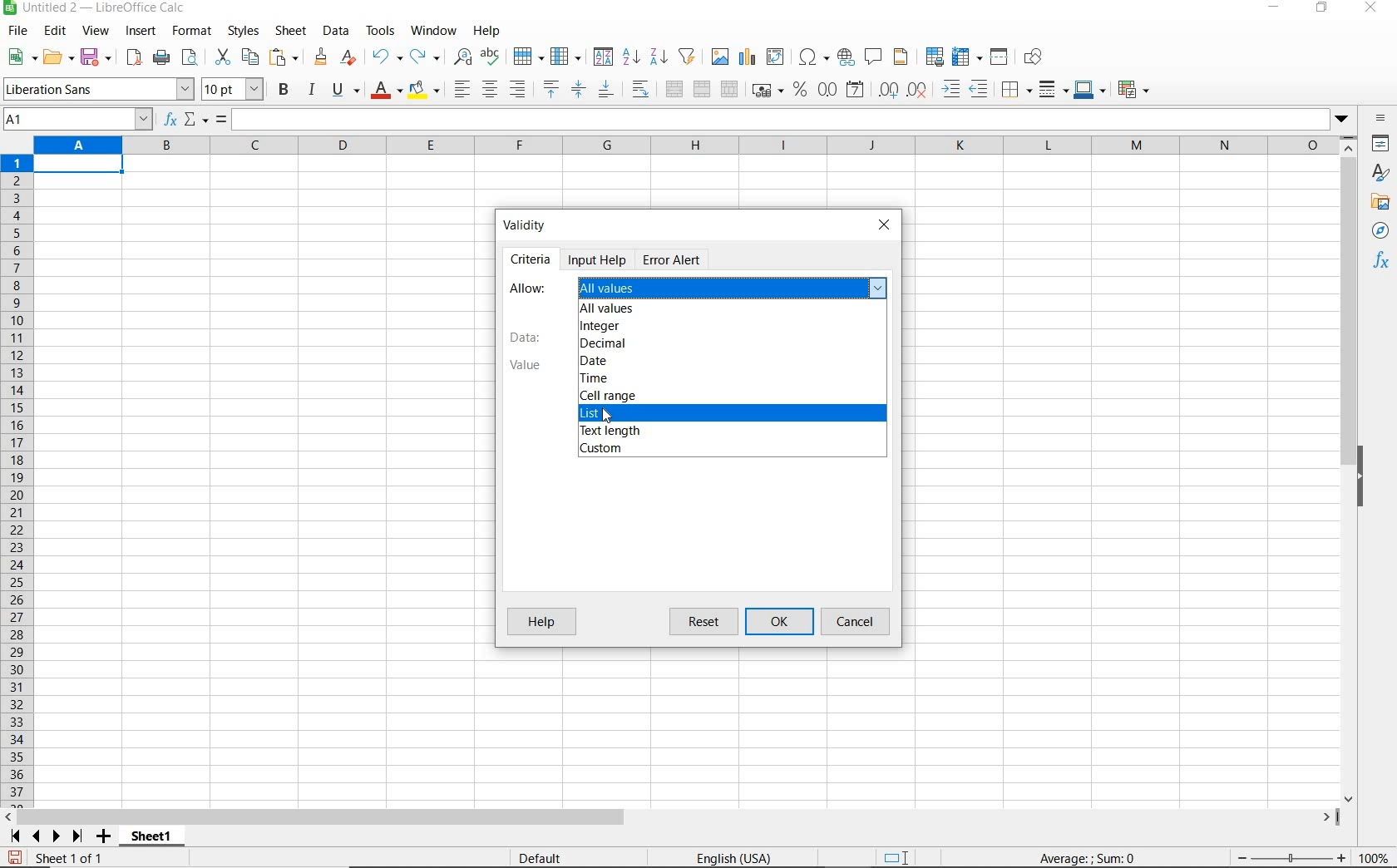 This screenshot has width=1397, height=868. Describe the element at coordinates (814, 57) in the screenshot. I see `insert special characters` at that location.